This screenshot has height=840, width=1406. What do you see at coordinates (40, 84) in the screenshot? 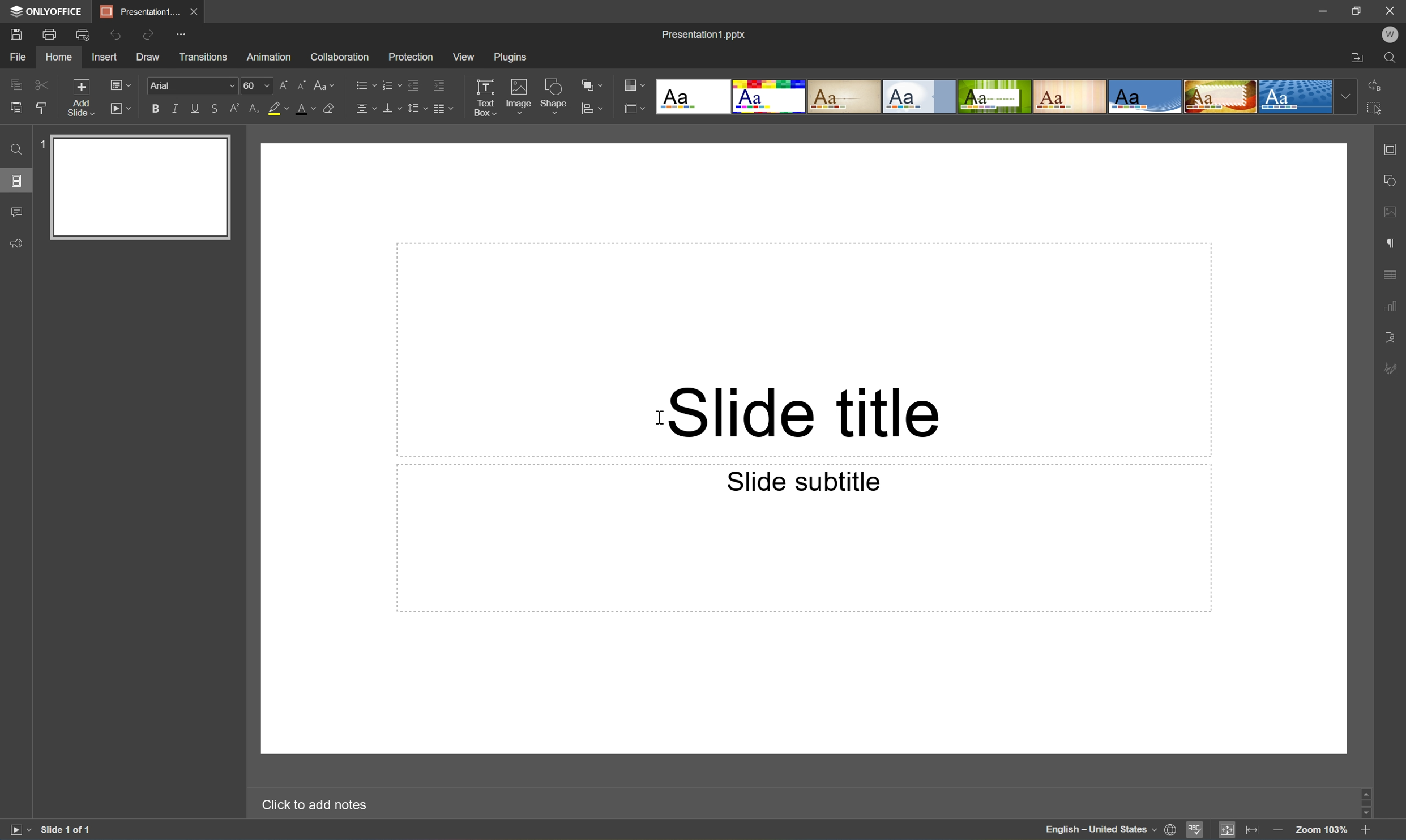
I see `Cut` at bounding box center [40, 84].